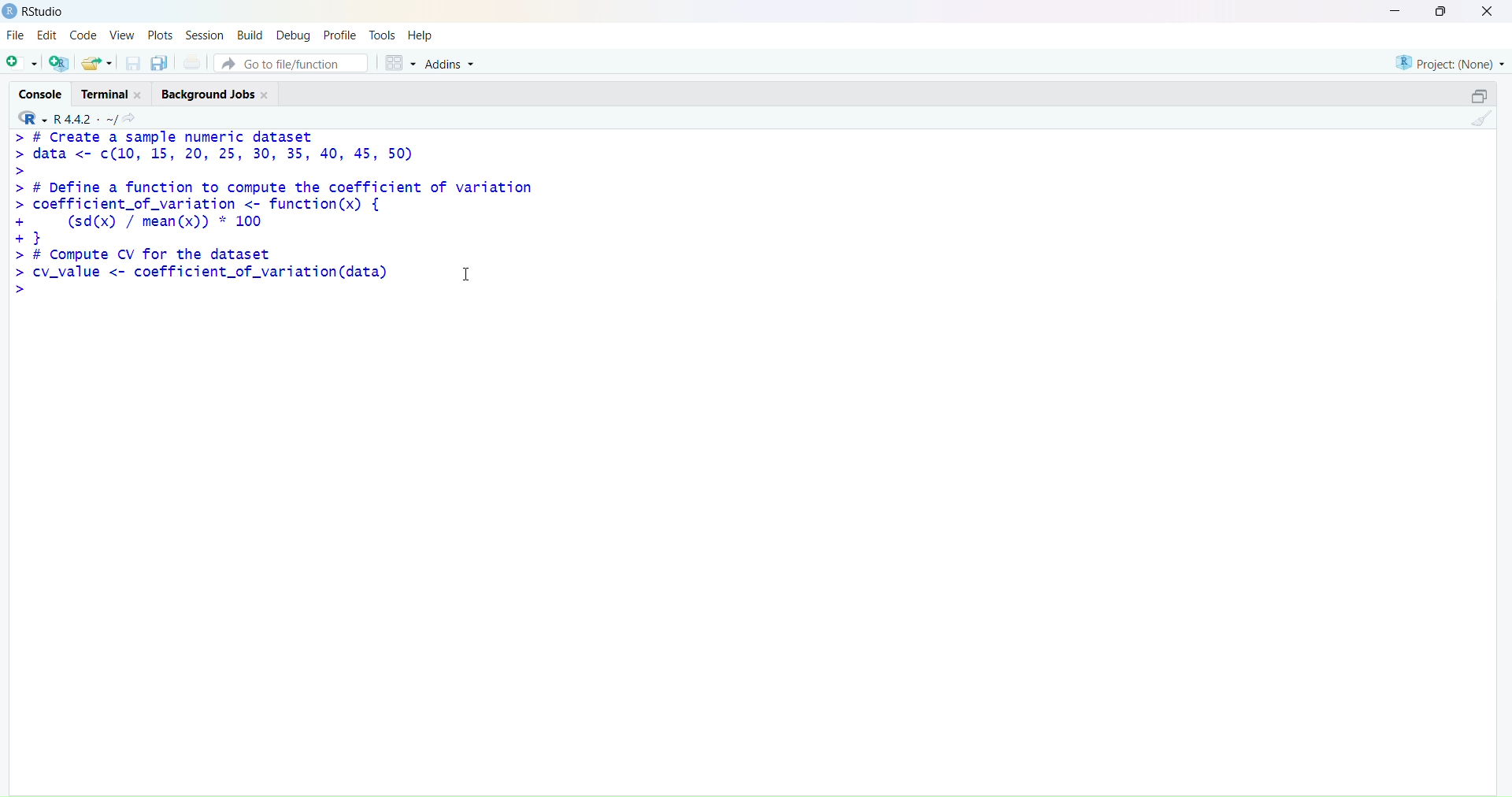 This screenshot has height=797, width=1512. Describe the element at coordinates (47, 35) in the screenshot. I see `edit` at that location.